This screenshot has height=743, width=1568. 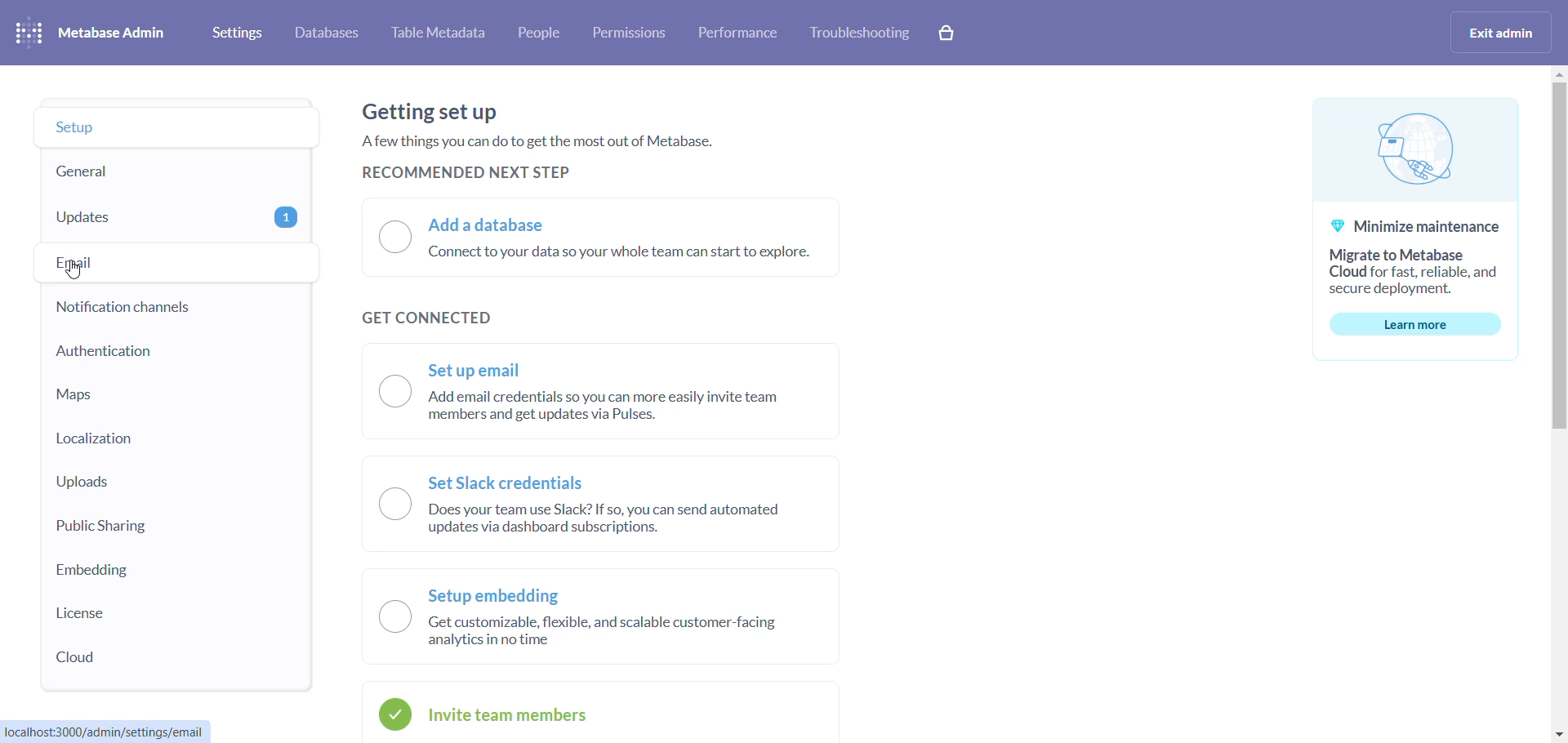 I want to click on cursor, so click(x=77, y=271).